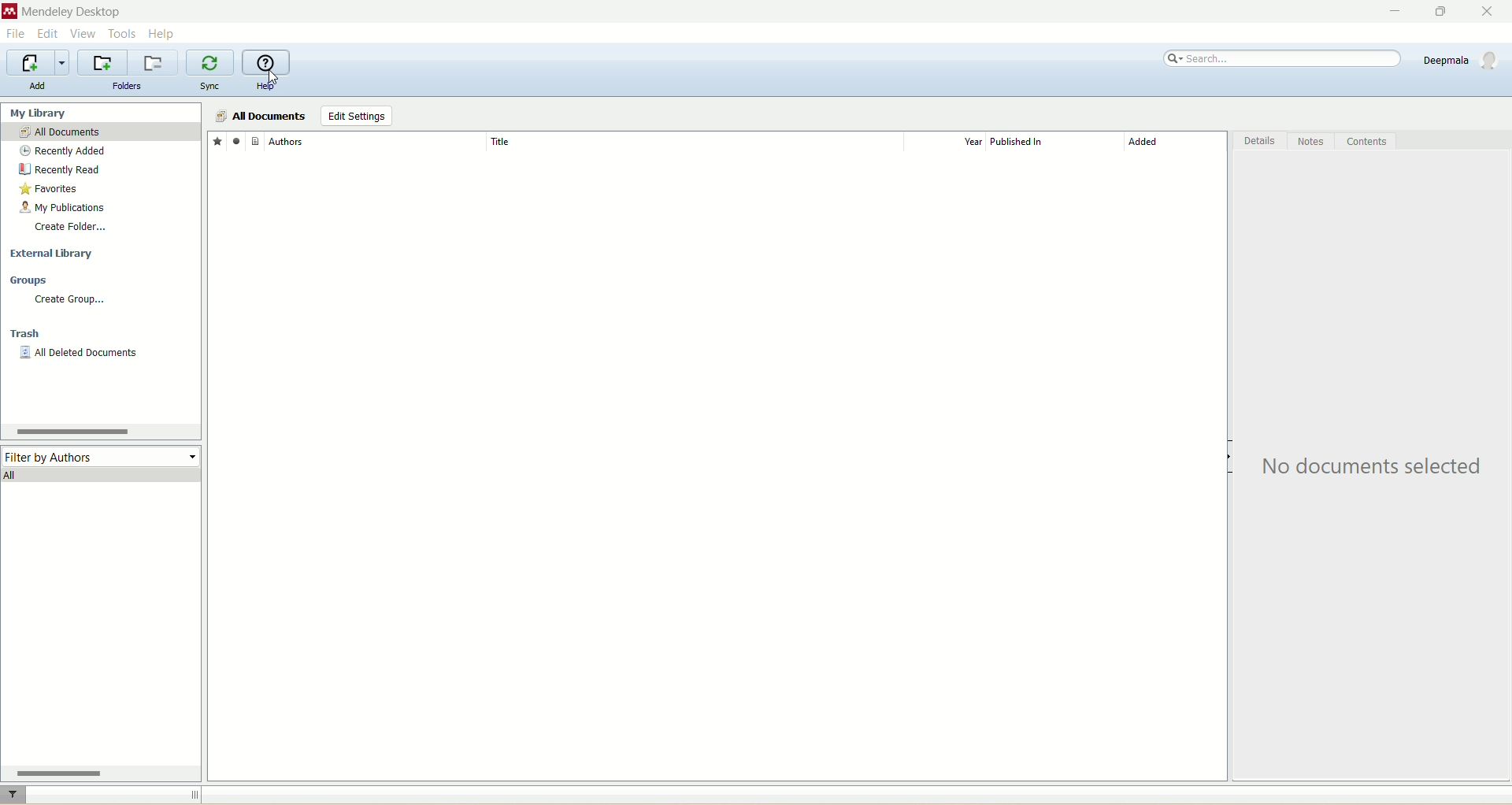  Describe the element at coordinates (102, 457) in the screenshot. I see `filter by authors` at that location.